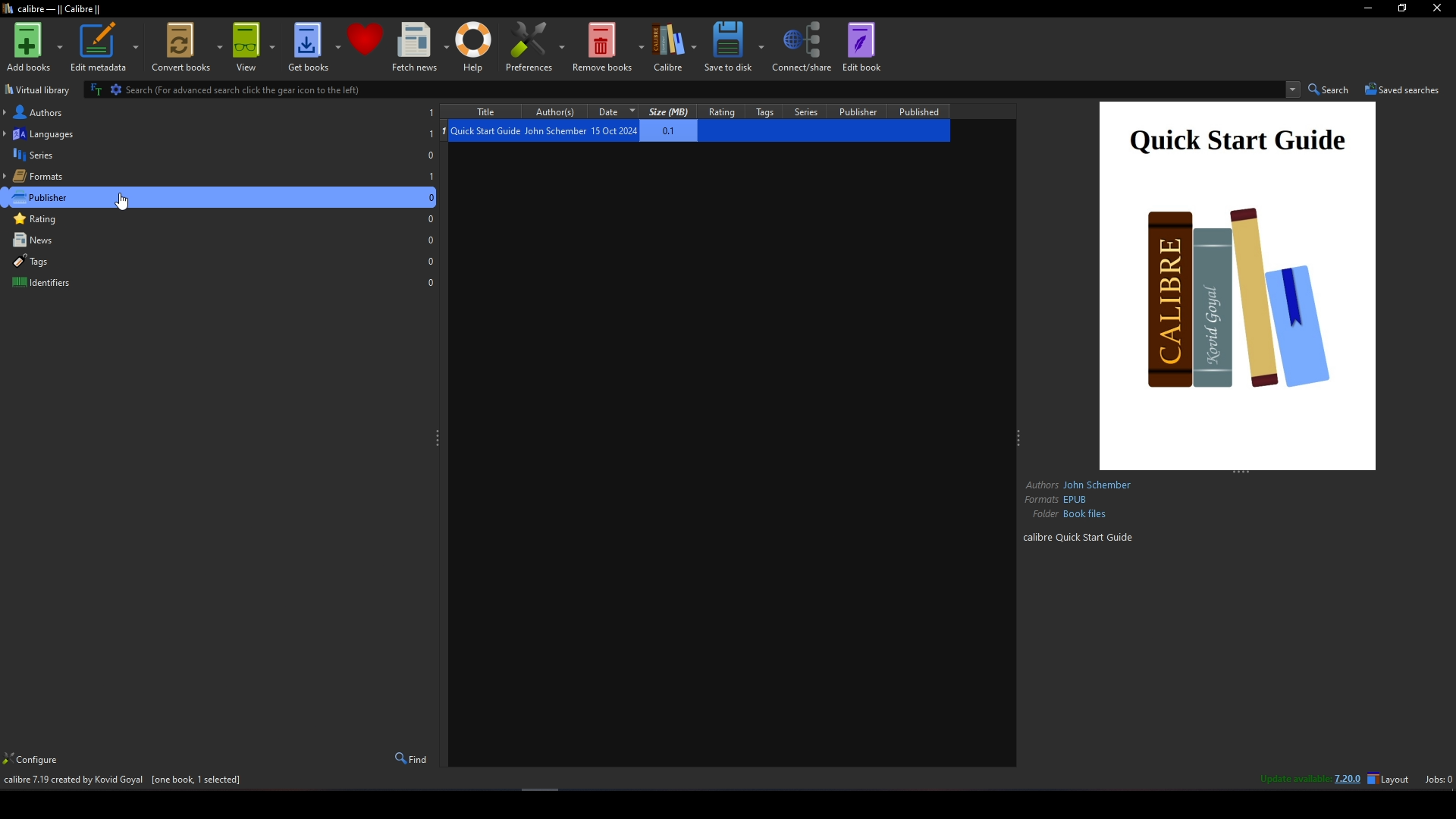 The width and height of the screenshot is (1456, 819). Describe the element at coordinates (586, 131) in the screenshot. I see `Quick start guide Jhon Schremer 15 Oct 2024` at that location.